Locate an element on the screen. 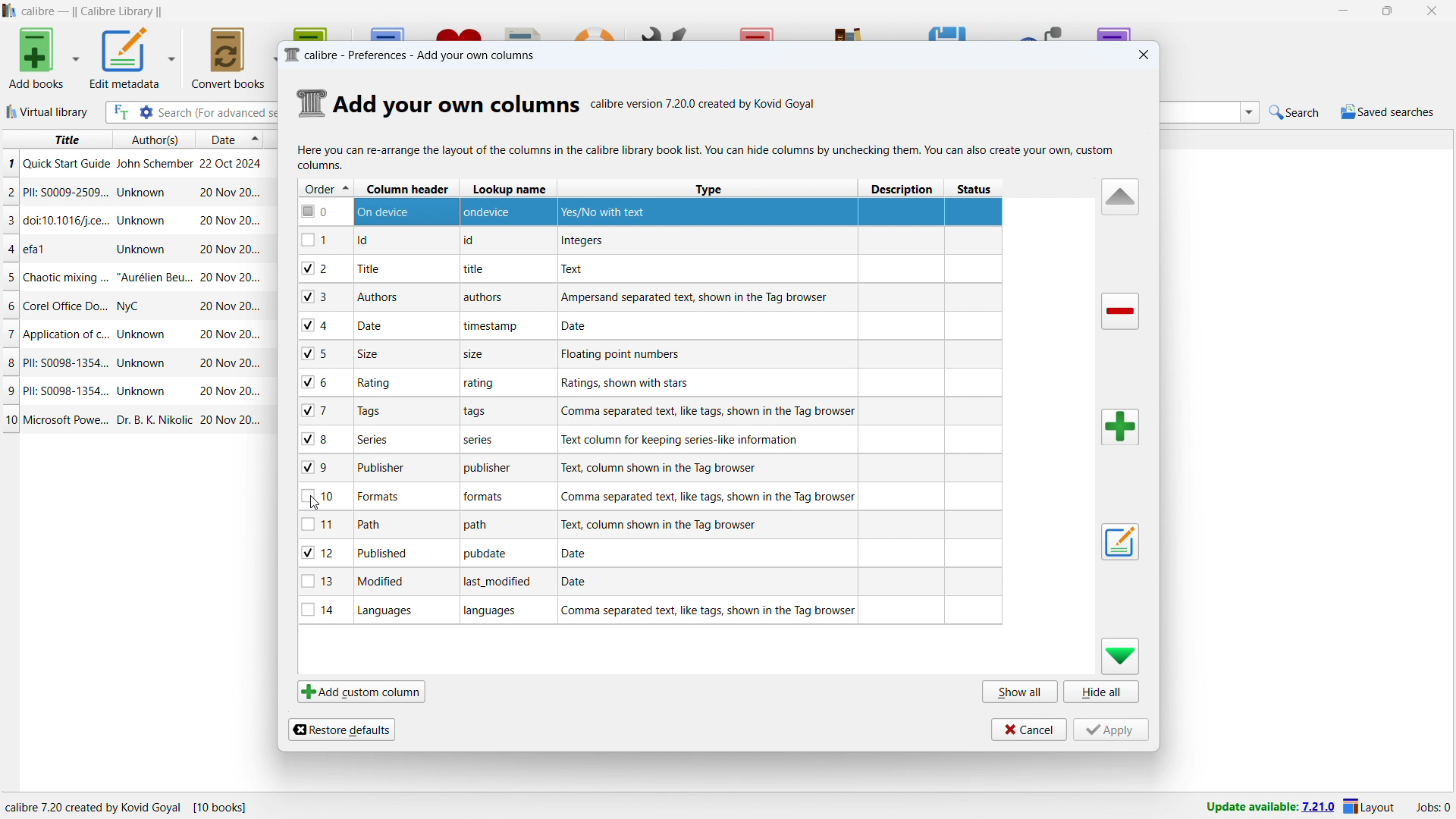 The height and width of the screenshot is (819, 1456). update is located at coordinates (1268, 808).